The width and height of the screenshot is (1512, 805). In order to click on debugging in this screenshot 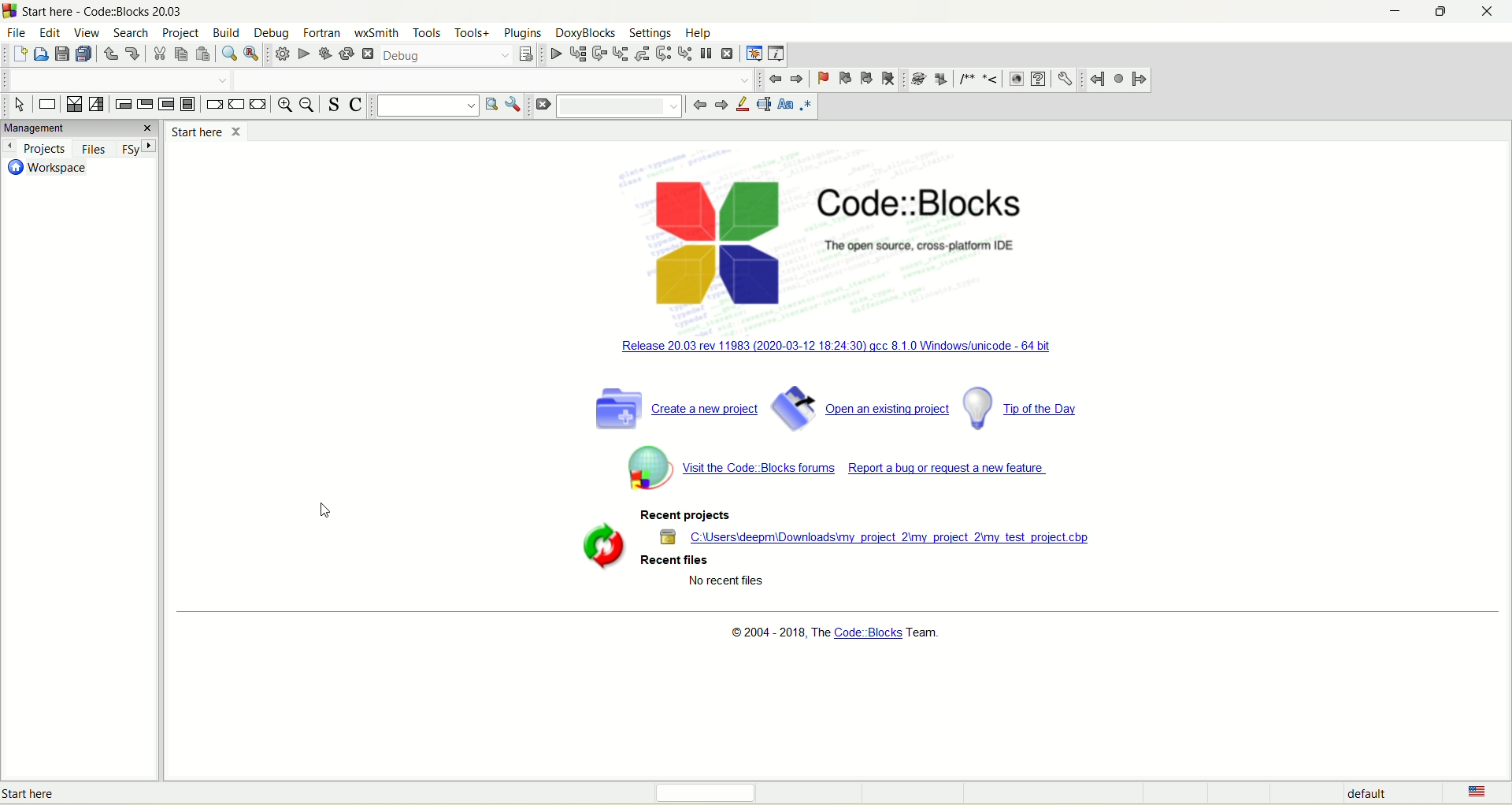, I will do `click(752, 54)`.